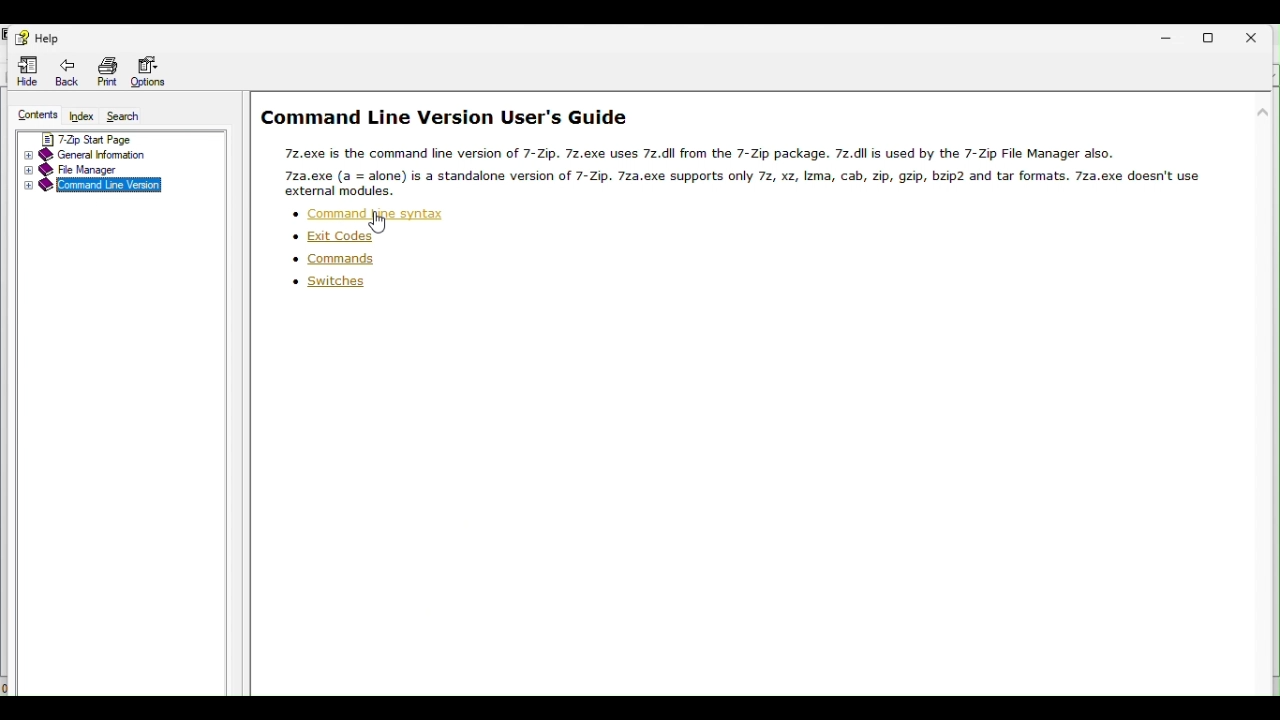  I want to click on Command line syntax, so click(369, 213).